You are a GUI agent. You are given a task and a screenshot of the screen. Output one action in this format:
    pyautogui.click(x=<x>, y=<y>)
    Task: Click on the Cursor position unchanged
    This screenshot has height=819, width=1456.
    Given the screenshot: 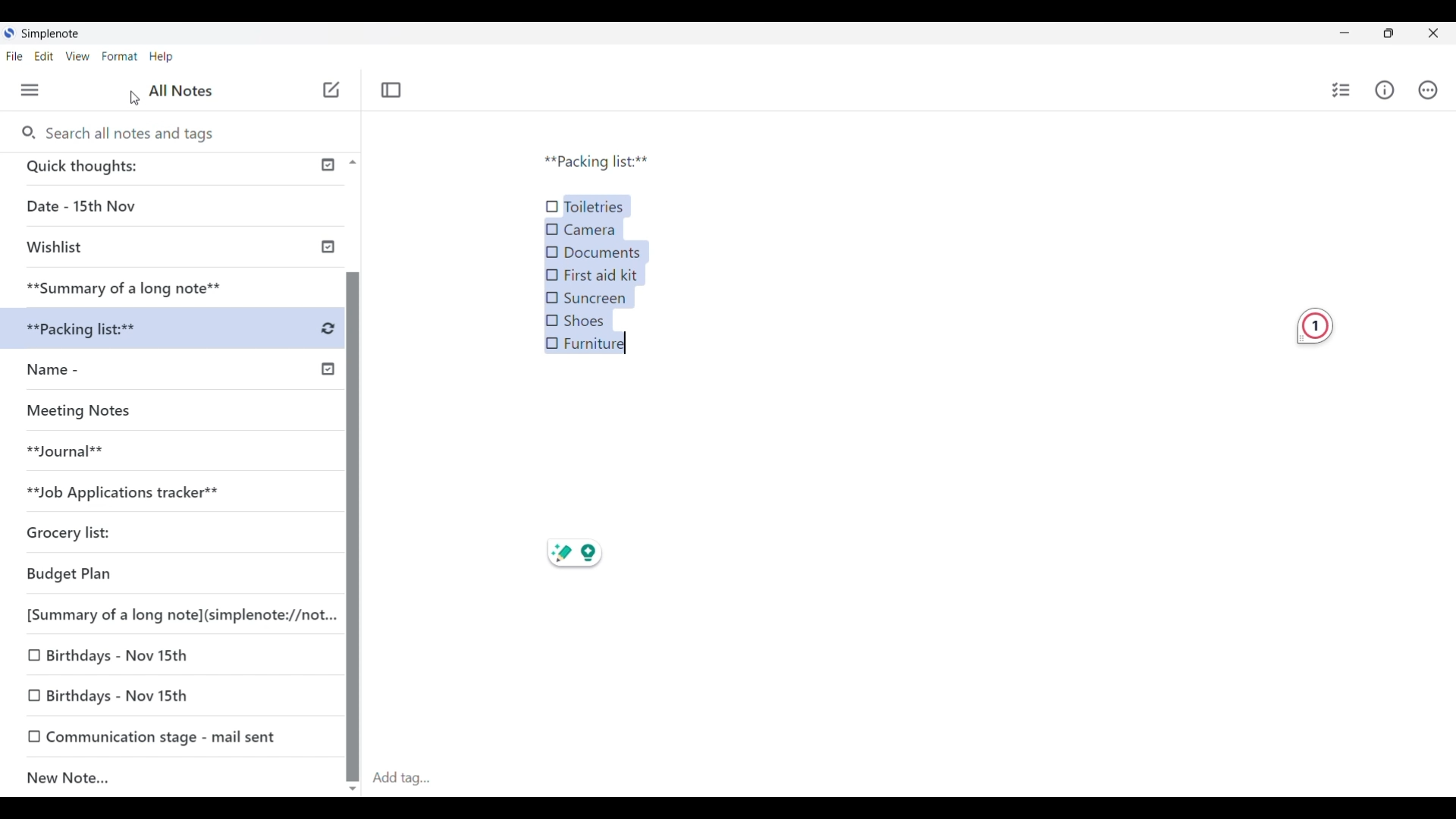 What is the action you would take?
    pyautogui.click(x=134, y=99)
    